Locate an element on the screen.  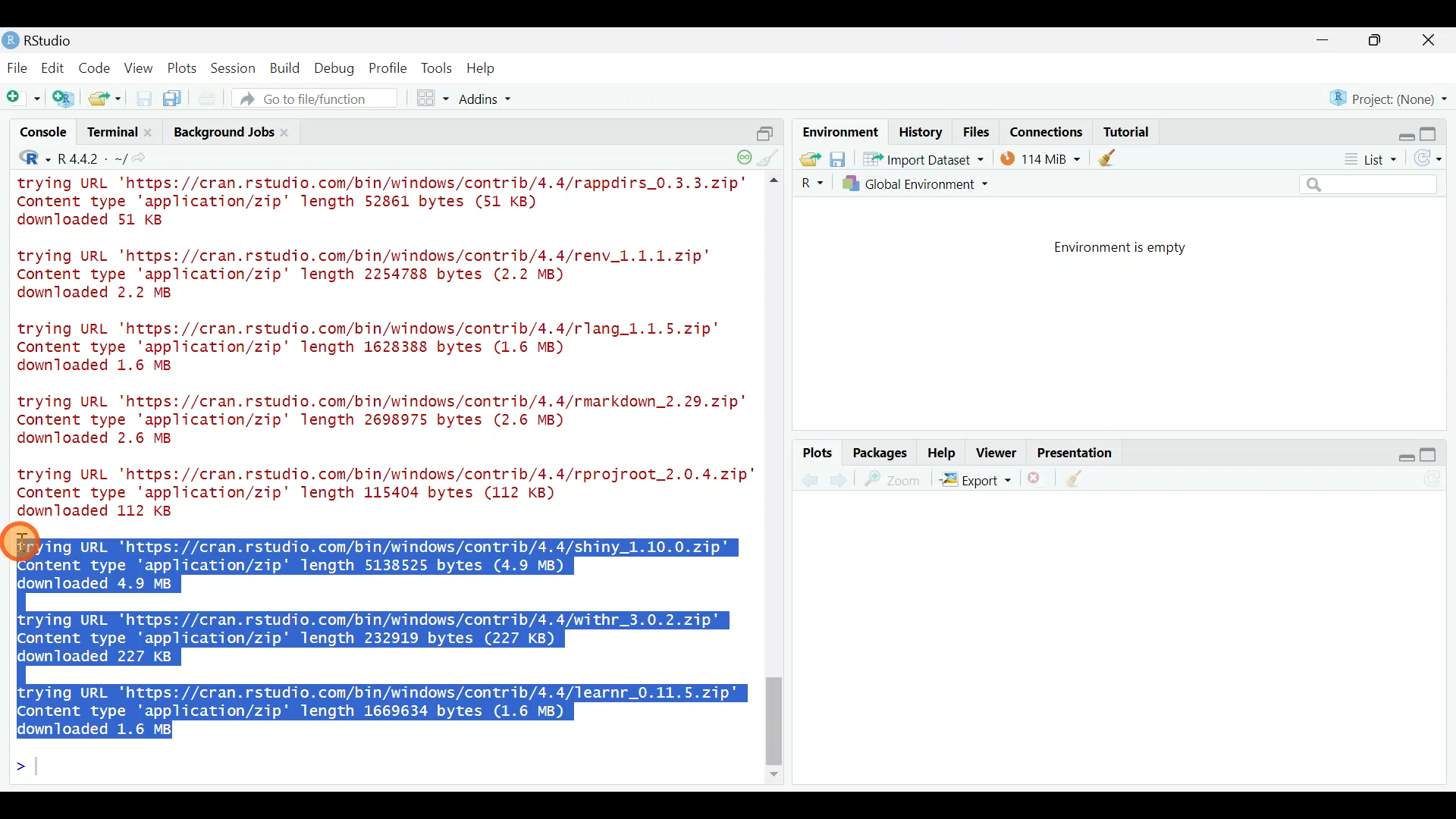
view the current working directory is located at coordinates (145, 158).